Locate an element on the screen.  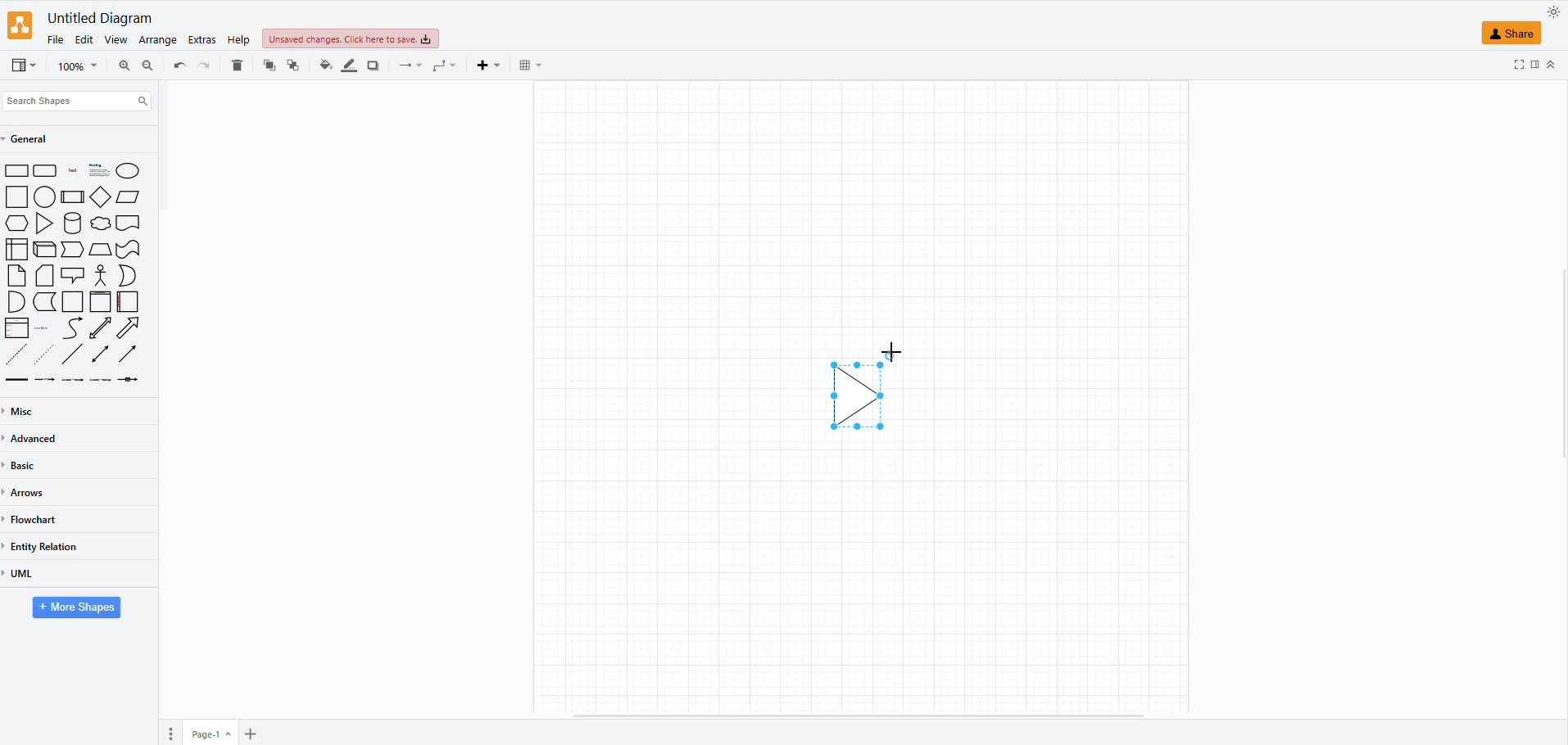
entity relation is located at coordinates (53, 542).